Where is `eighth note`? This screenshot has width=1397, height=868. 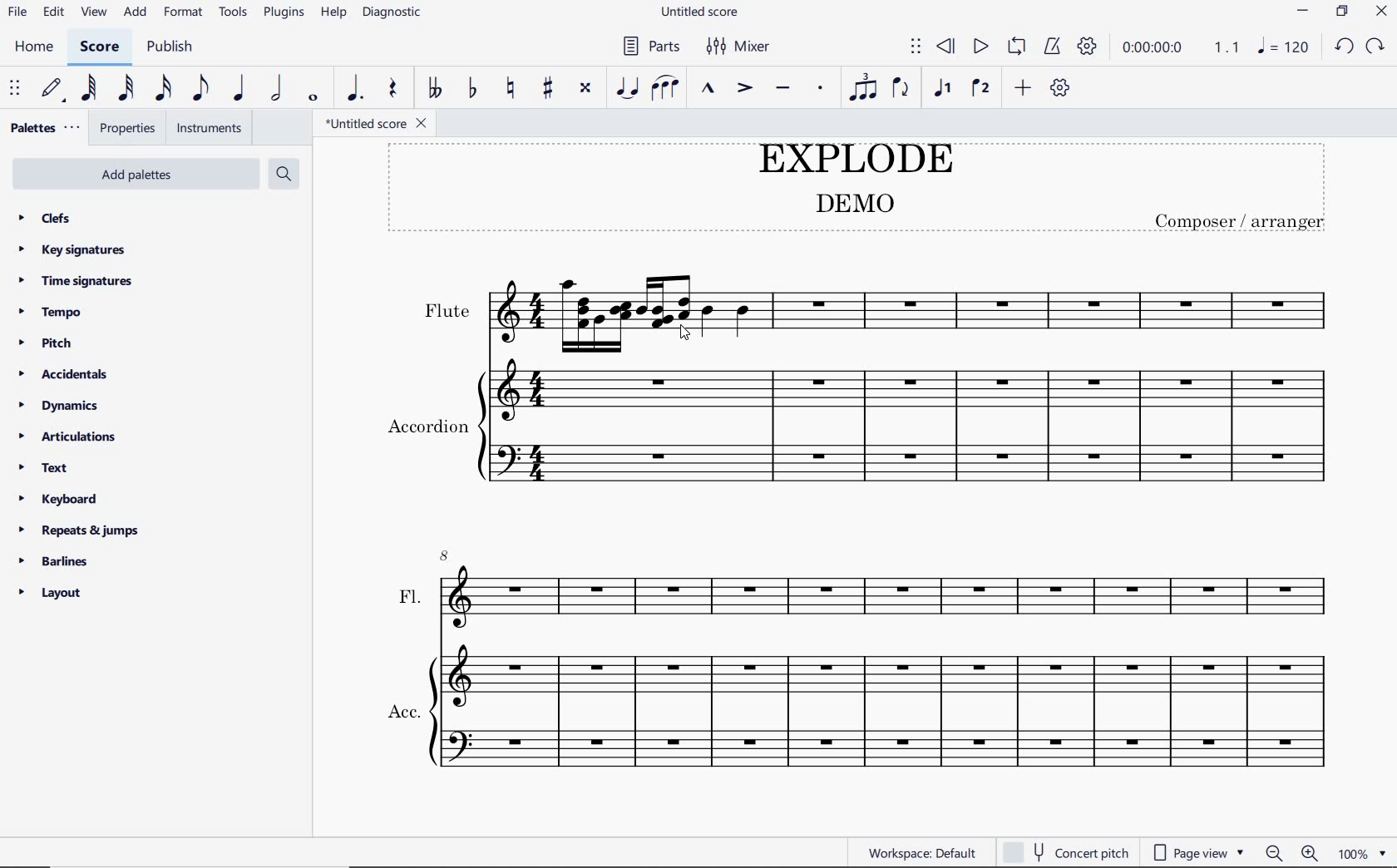 eighth note is located at coordinates (204, 90).